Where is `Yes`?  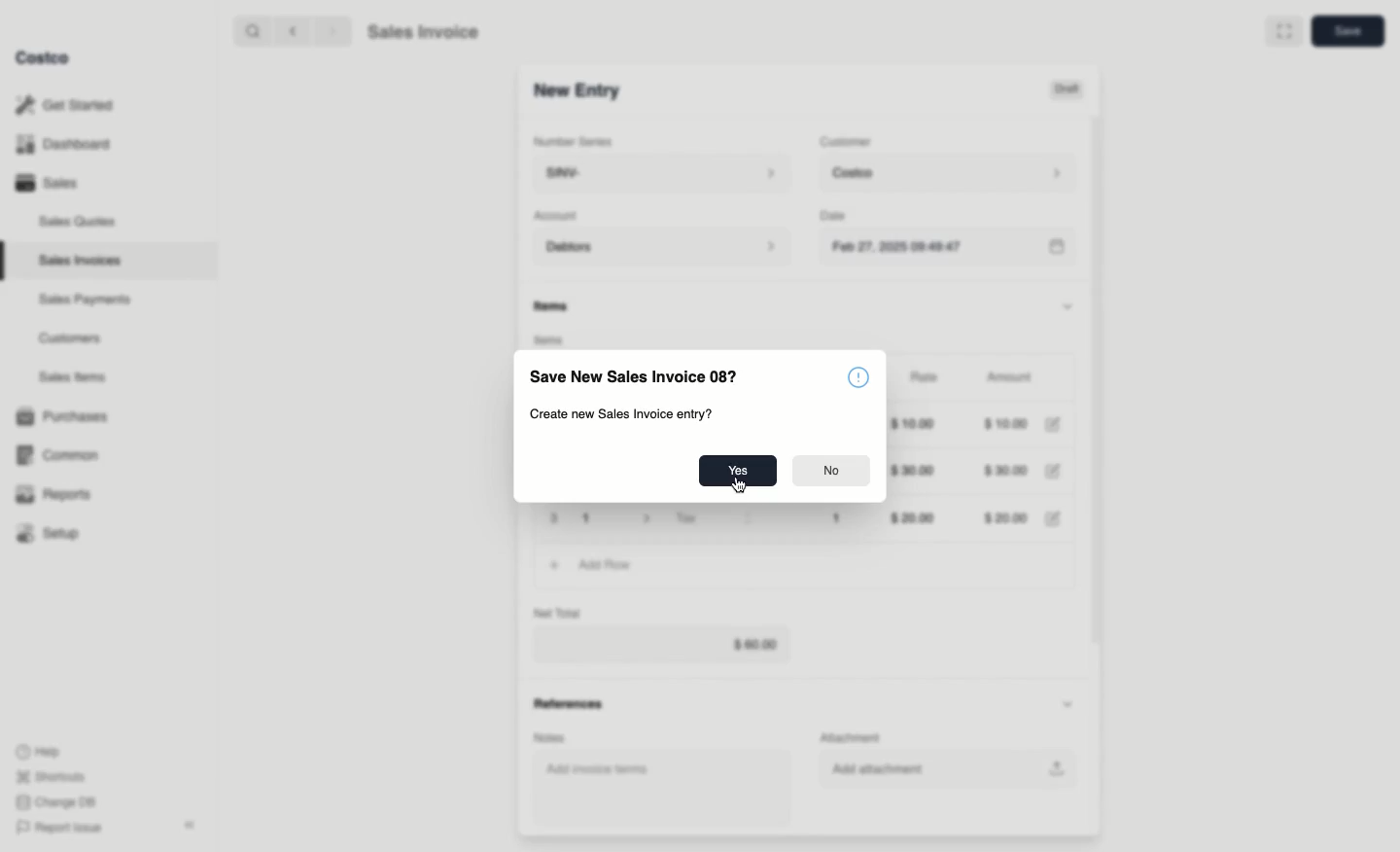 Yes is located at coordinates (737, 473).